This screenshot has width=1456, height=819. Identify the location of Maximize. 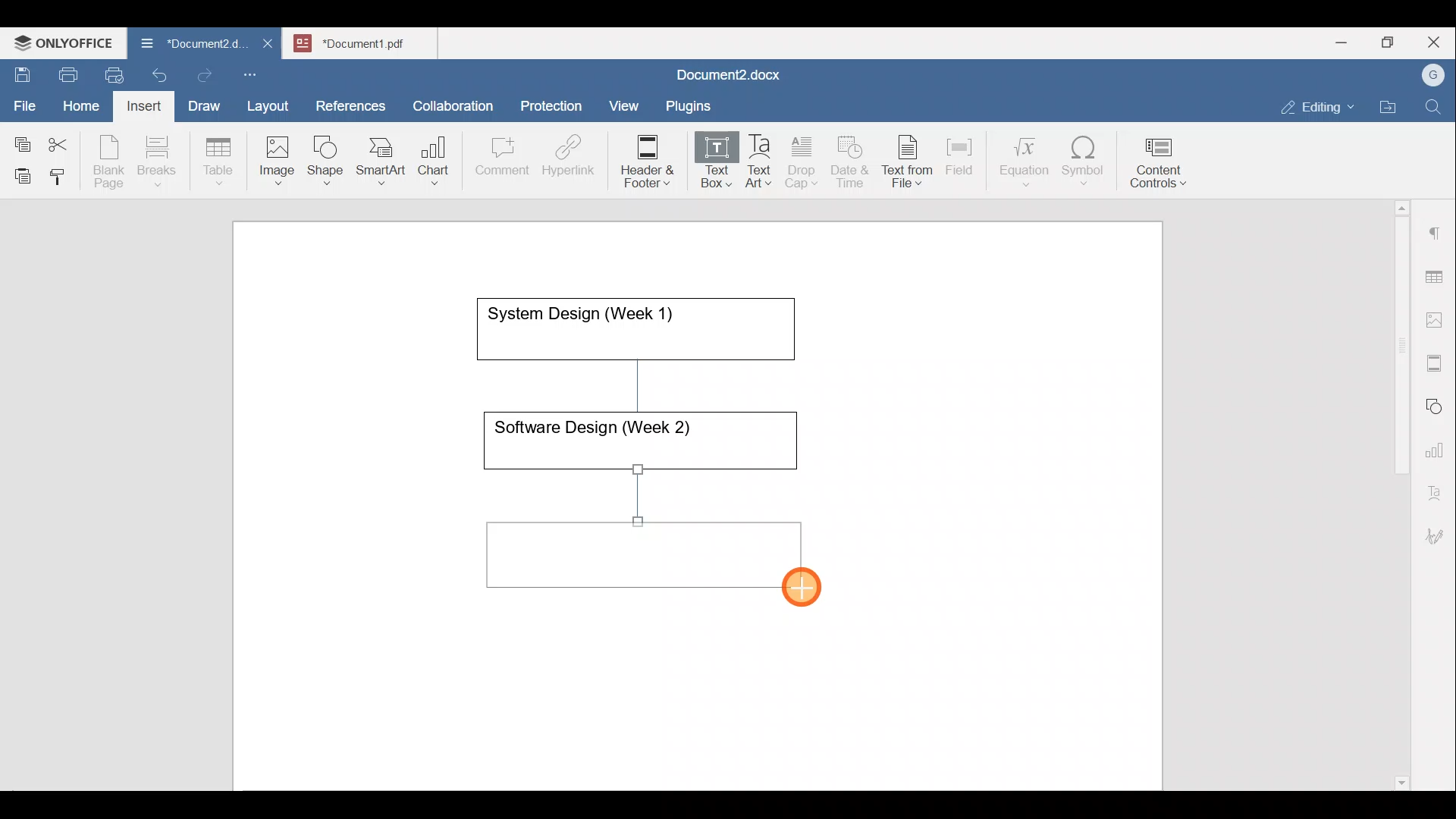
(1392, 42).